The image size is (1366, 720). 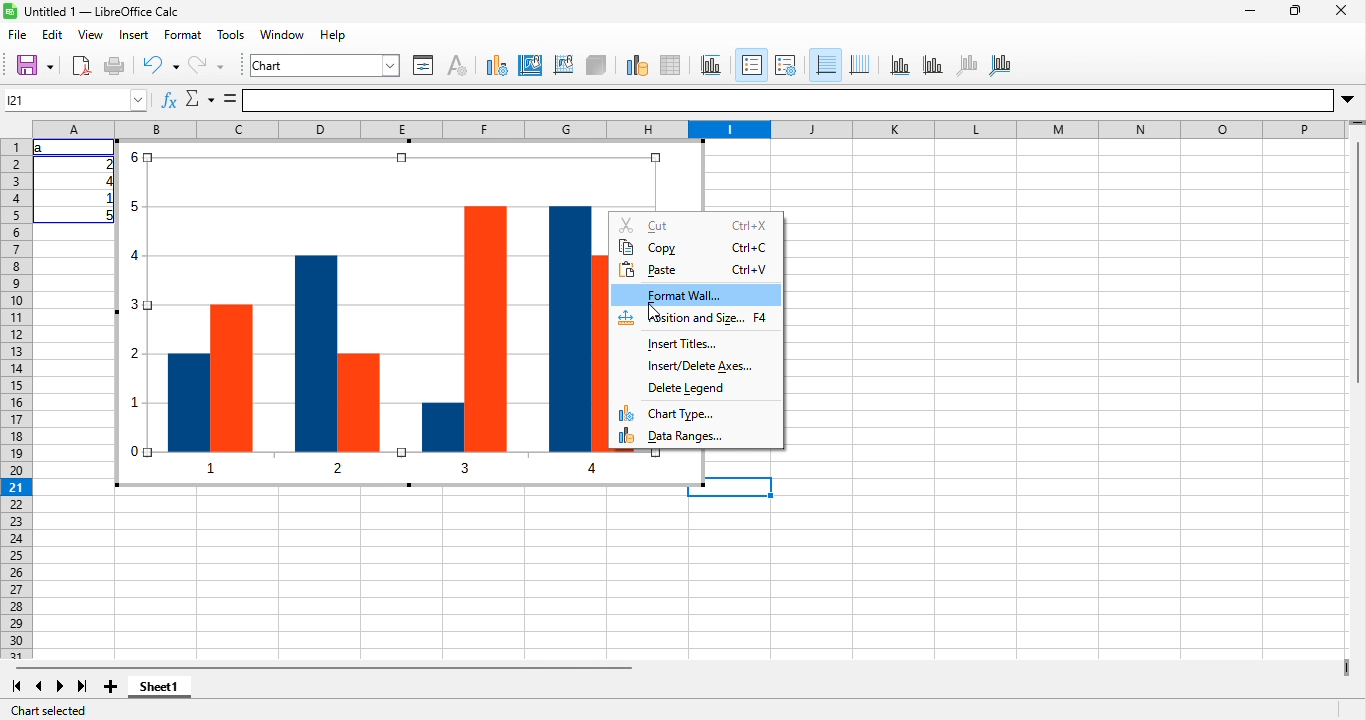 I want to click on tools, so click(x=230, y=34).